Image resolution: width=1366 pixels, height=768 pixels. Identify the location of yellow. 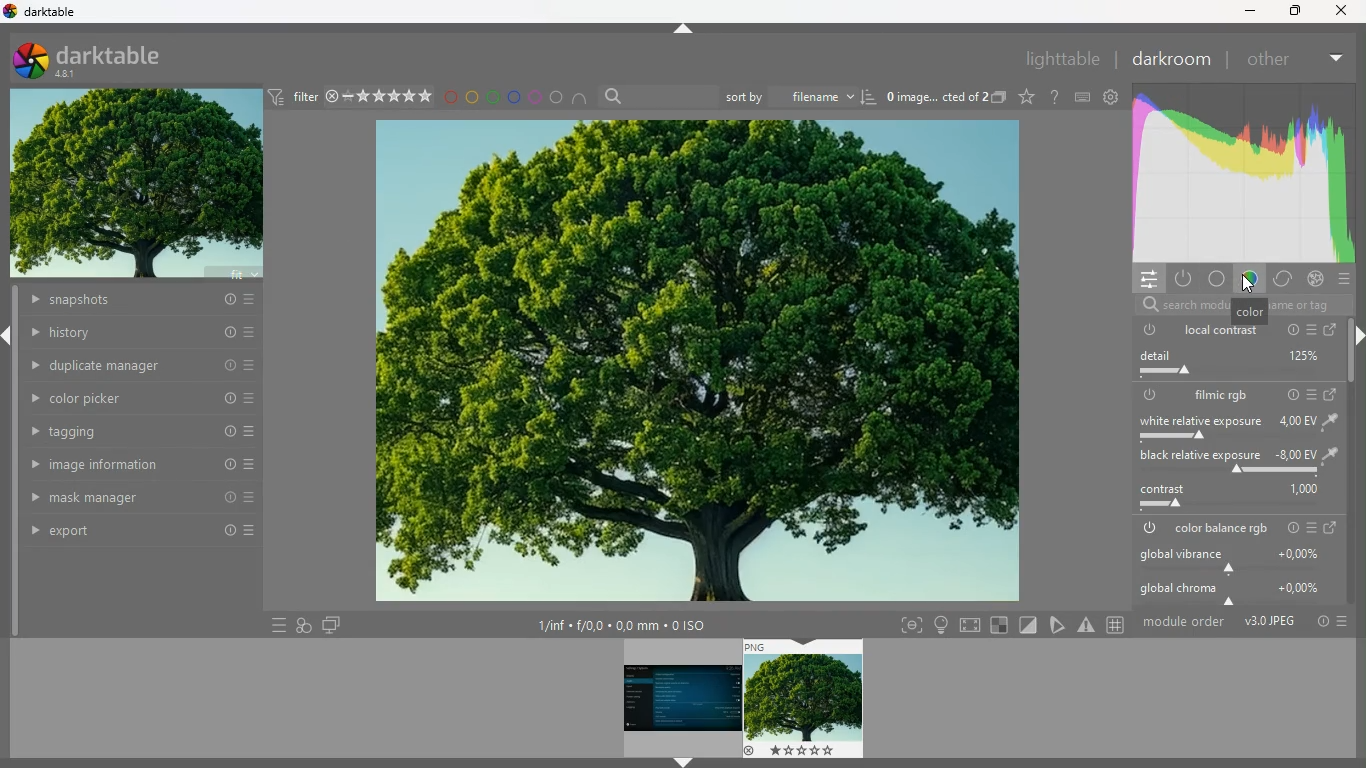
(473, 97).